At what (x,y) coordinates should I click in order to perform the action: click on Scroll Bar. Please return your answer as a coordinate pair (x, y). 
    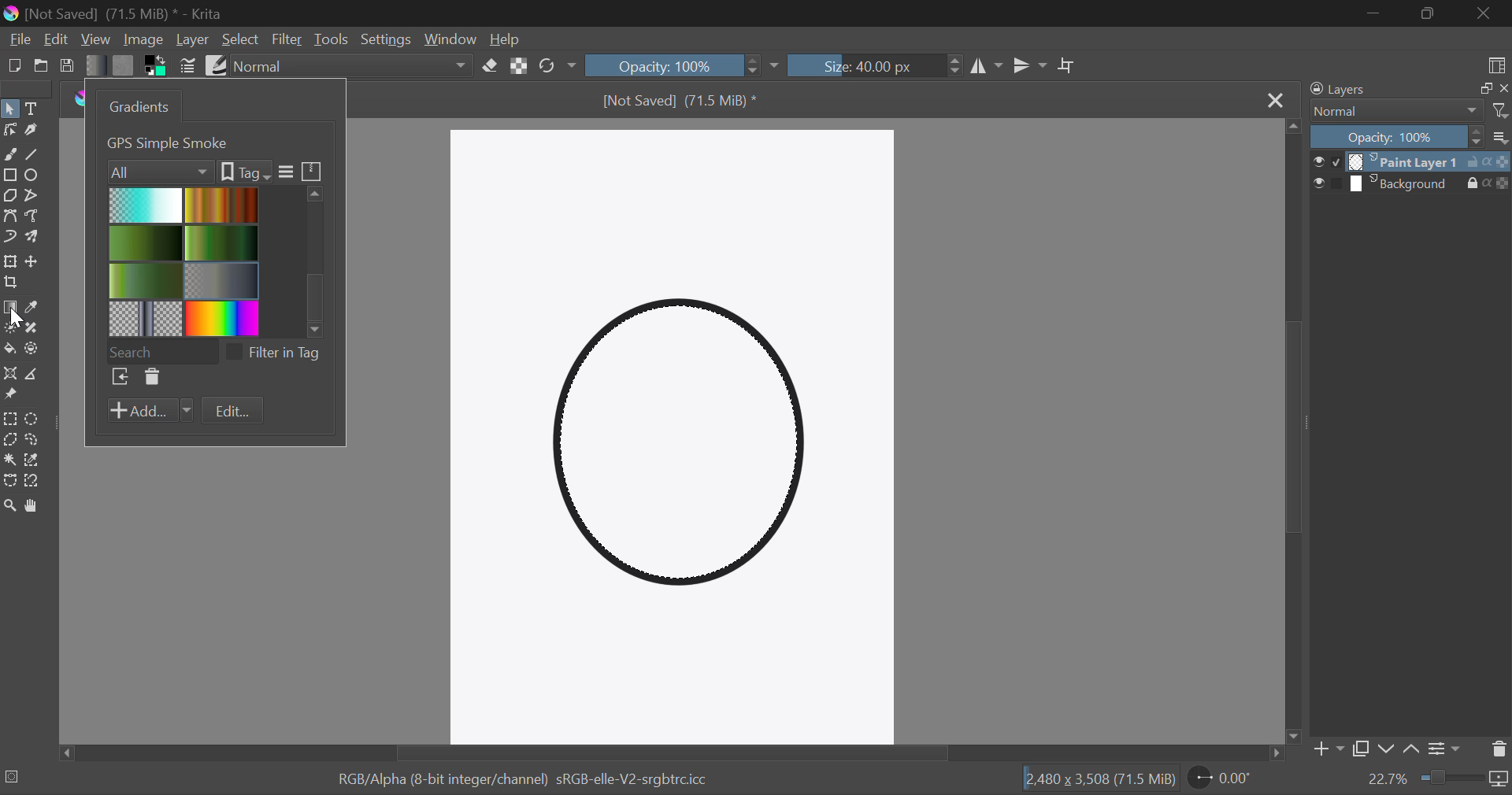
    Looking at the image, I should click on (670, 755).